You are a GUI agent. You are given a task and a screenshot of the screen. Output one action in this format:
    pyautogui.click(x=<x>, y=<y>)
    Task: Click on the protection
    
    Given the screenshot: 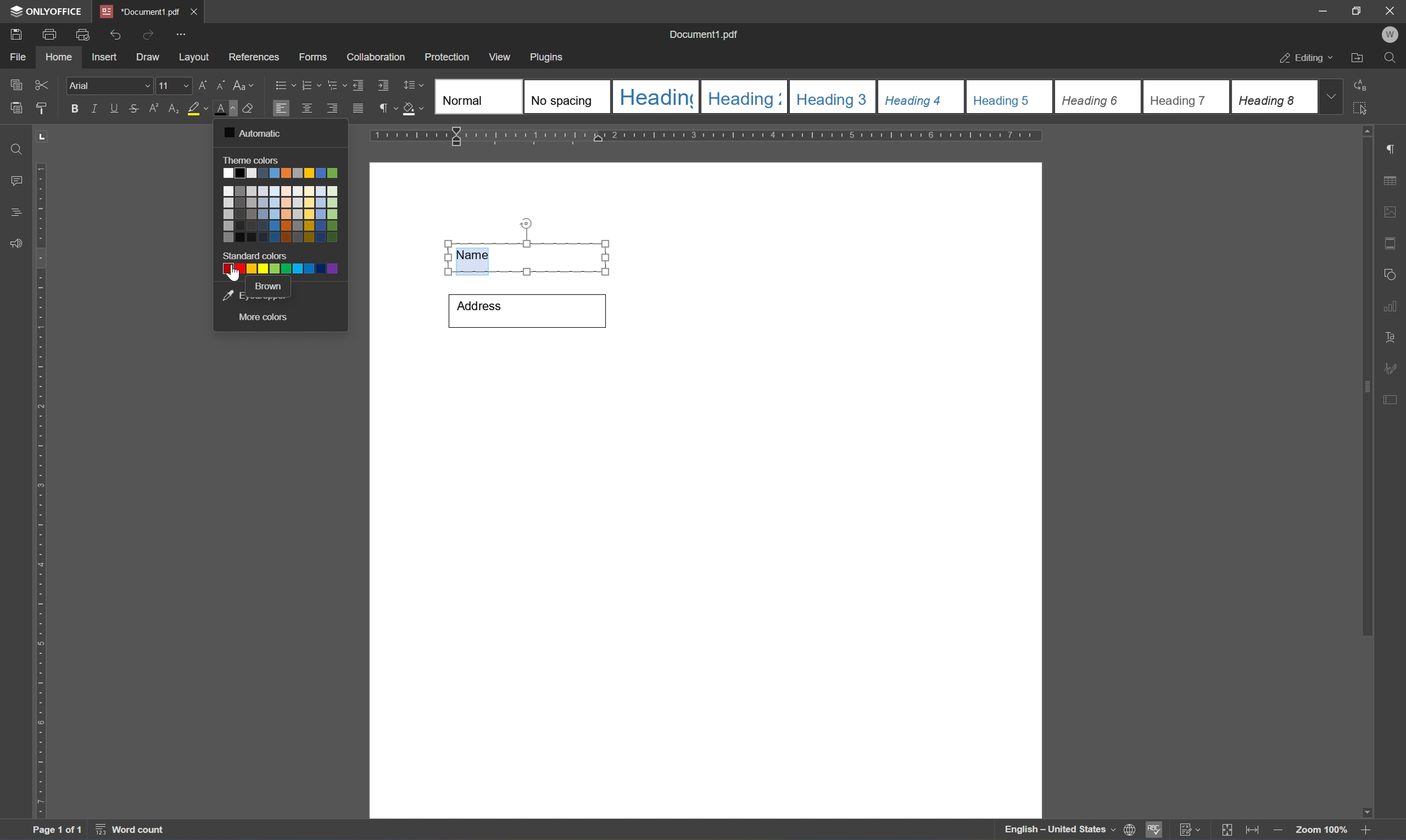 What is the action you would take?
    pyautogui.click(x=448, y=56)
    